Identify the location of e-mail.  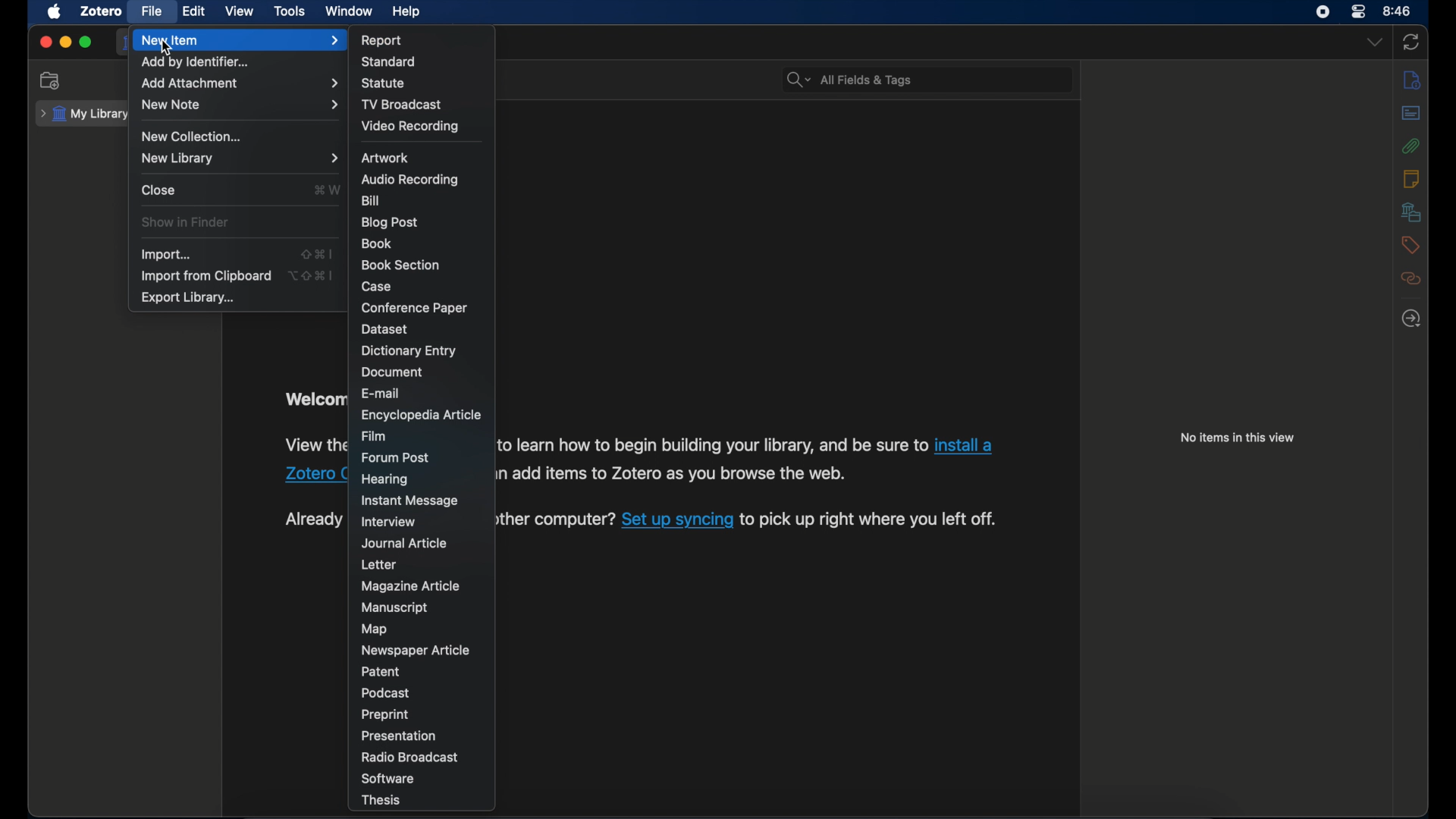
(381, 394).